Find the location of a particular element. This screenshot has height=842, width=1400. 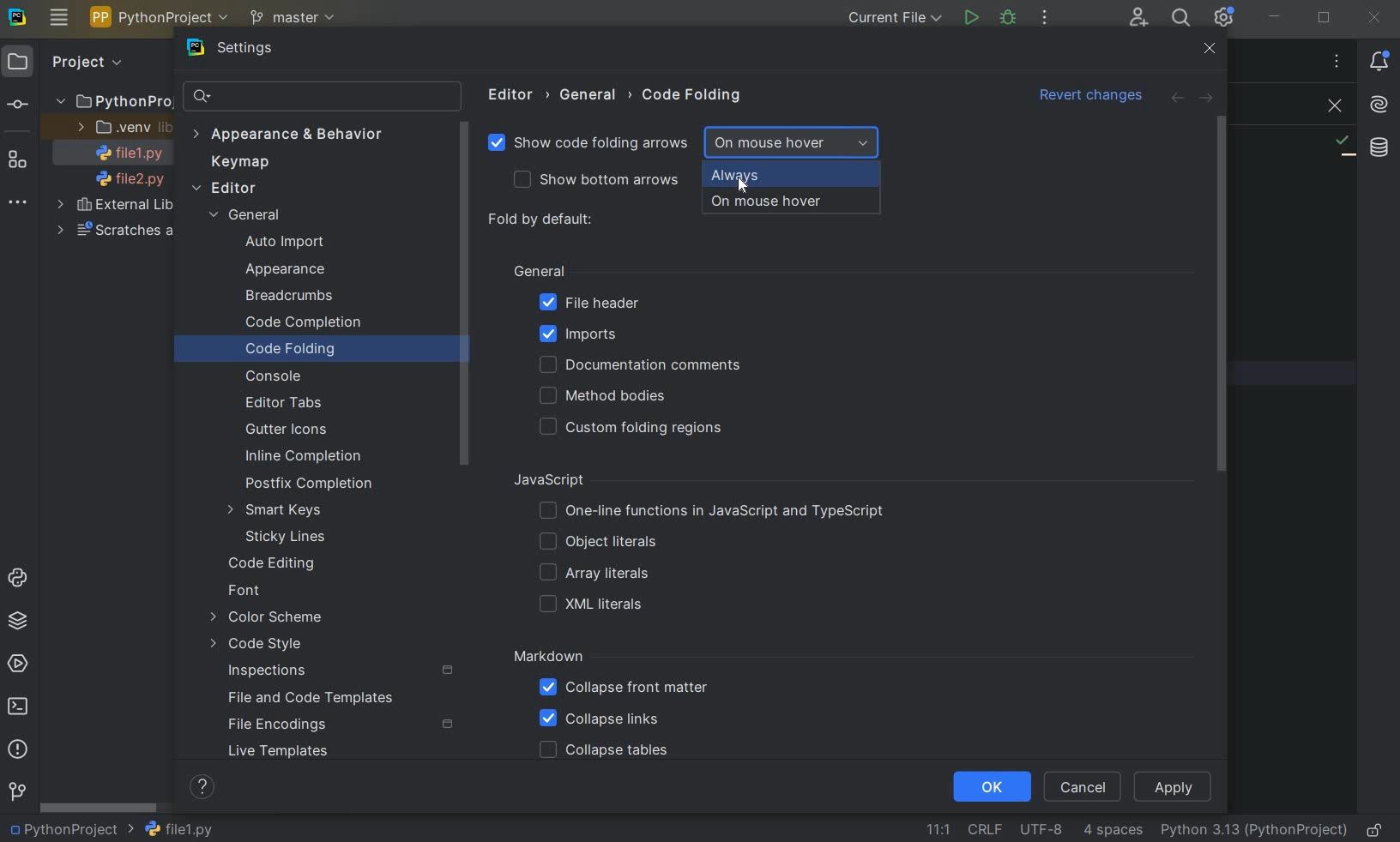

MINIMIZE is located at coordinates (1275, 18).